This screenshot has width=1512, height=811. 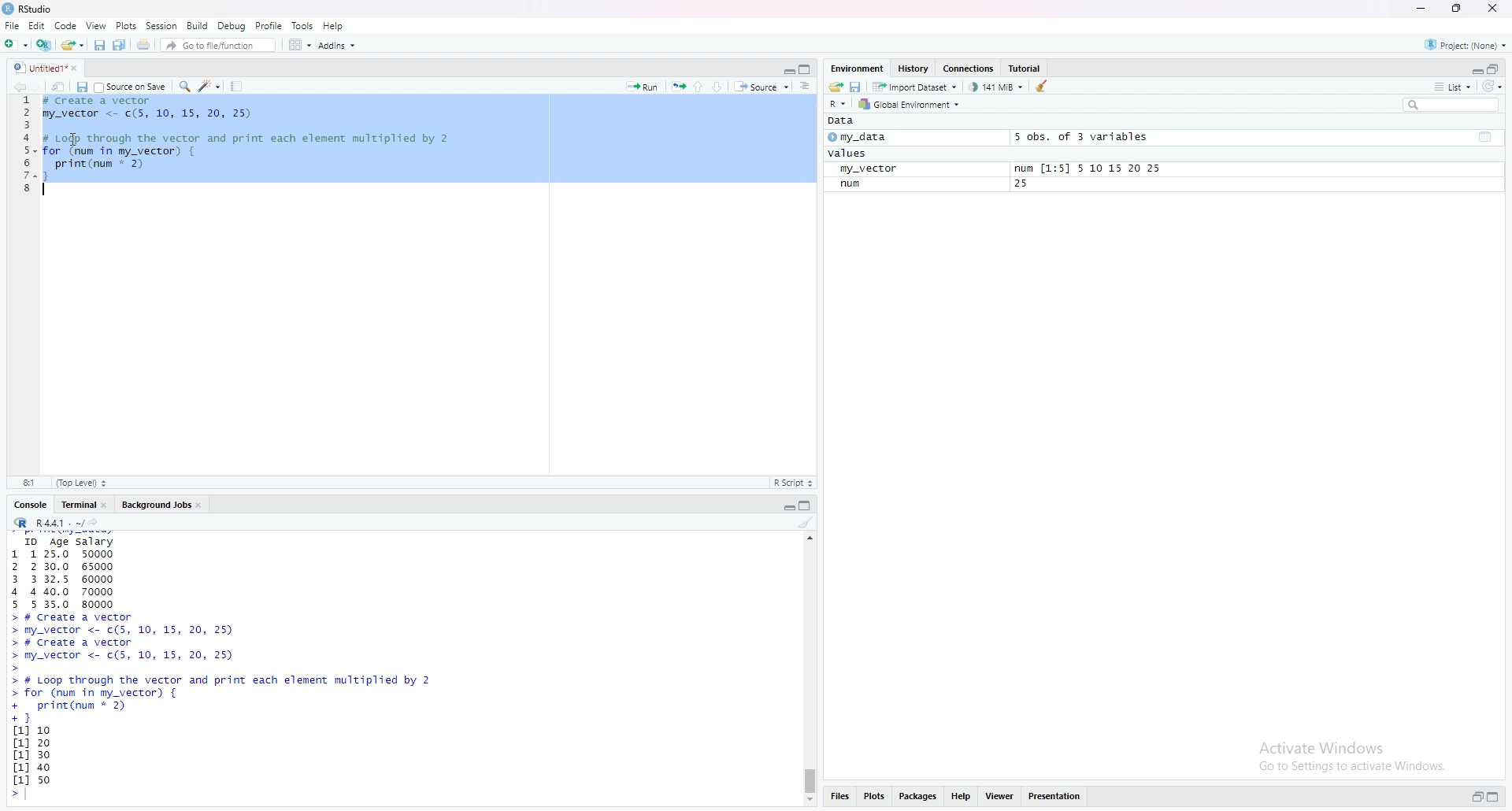 I want to click on create a project, so click(x=45, y=45).